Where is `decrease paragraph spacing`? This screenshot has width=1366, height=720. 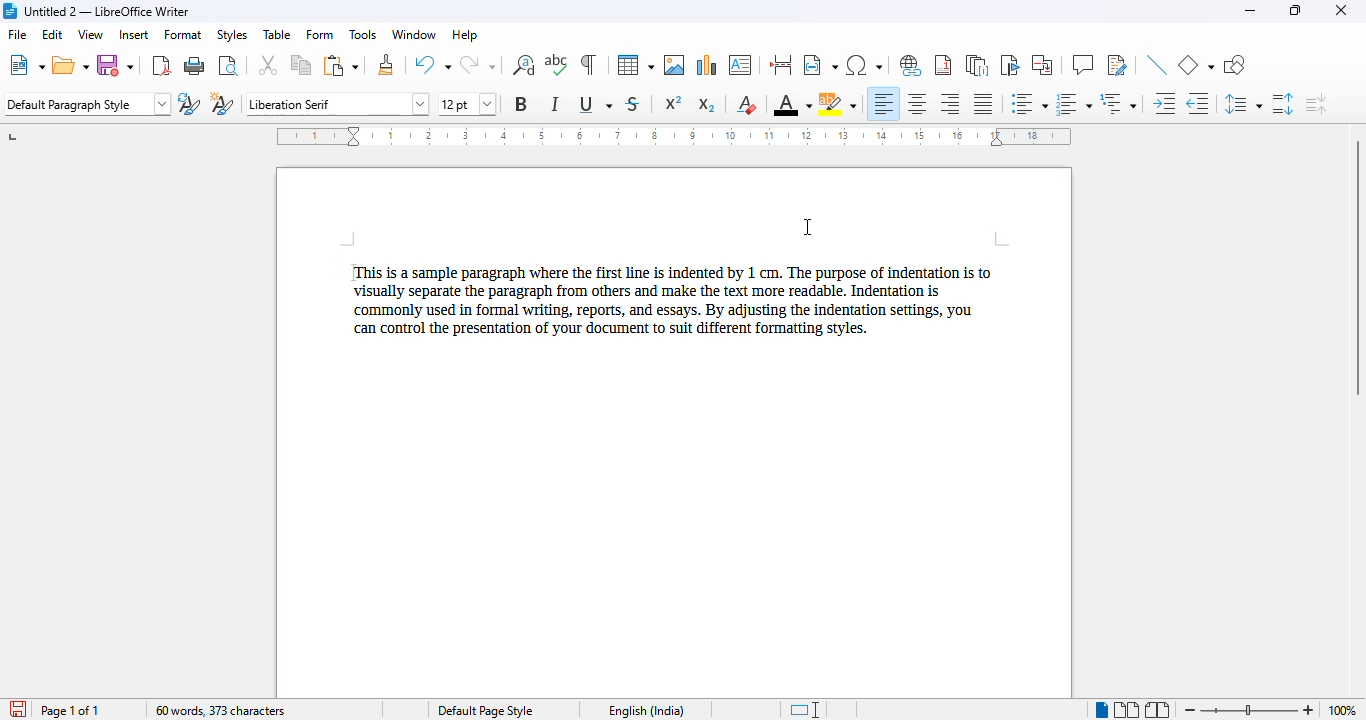
decrease paragraph spacing is located at coordinates (1316, 104).